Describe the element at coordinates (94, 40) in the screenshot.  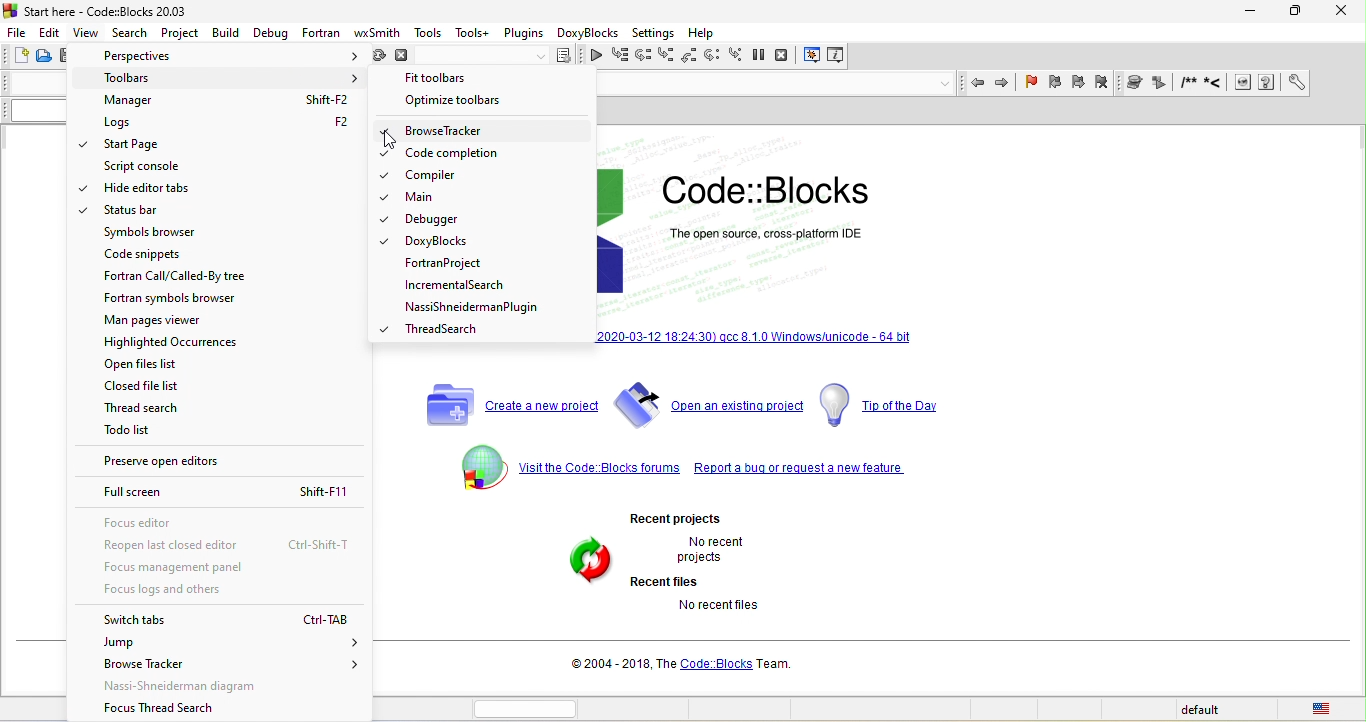
I see `cursor` at that location.